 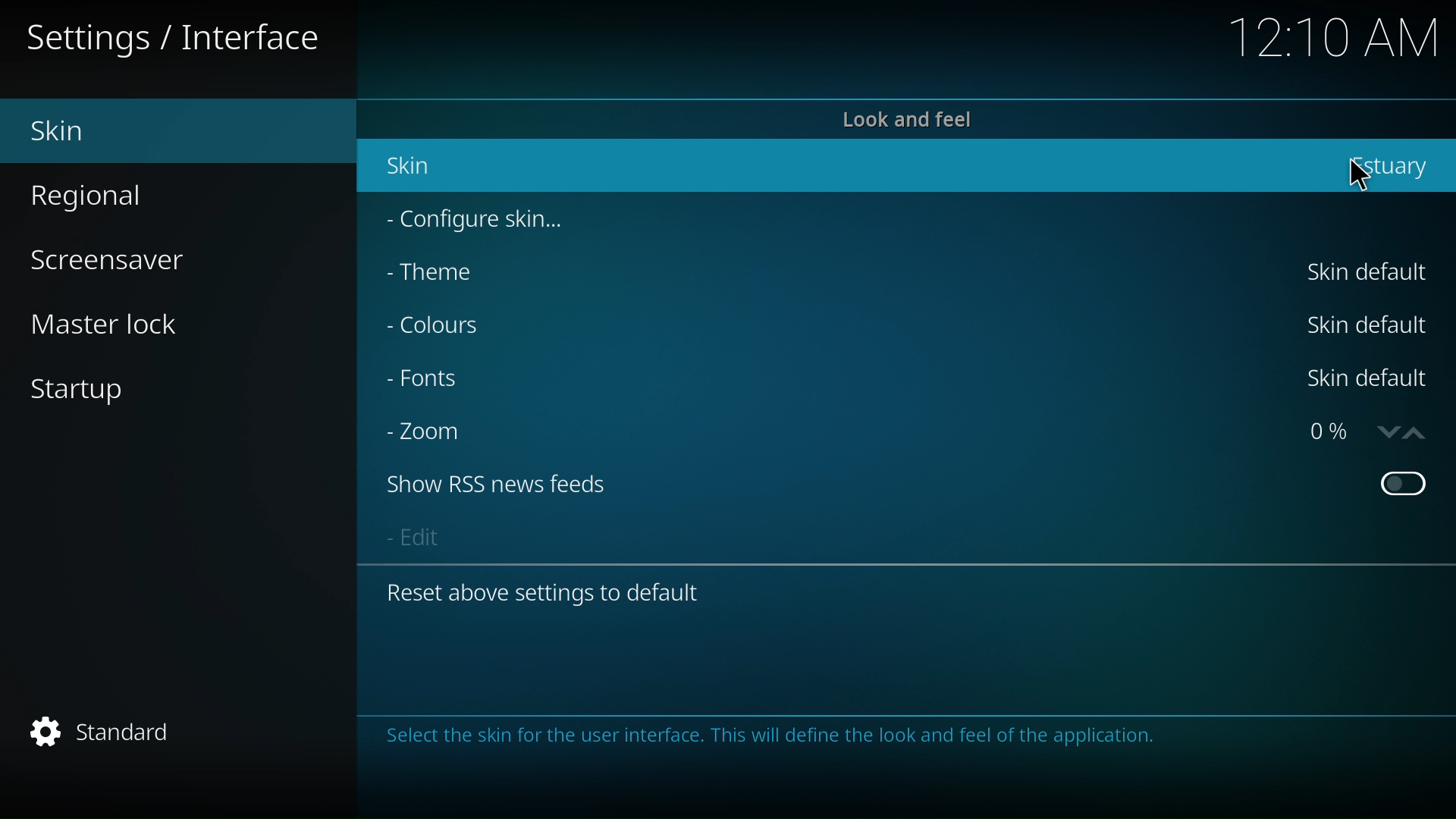 I want to click on master lock, so click(x=99, y=326).